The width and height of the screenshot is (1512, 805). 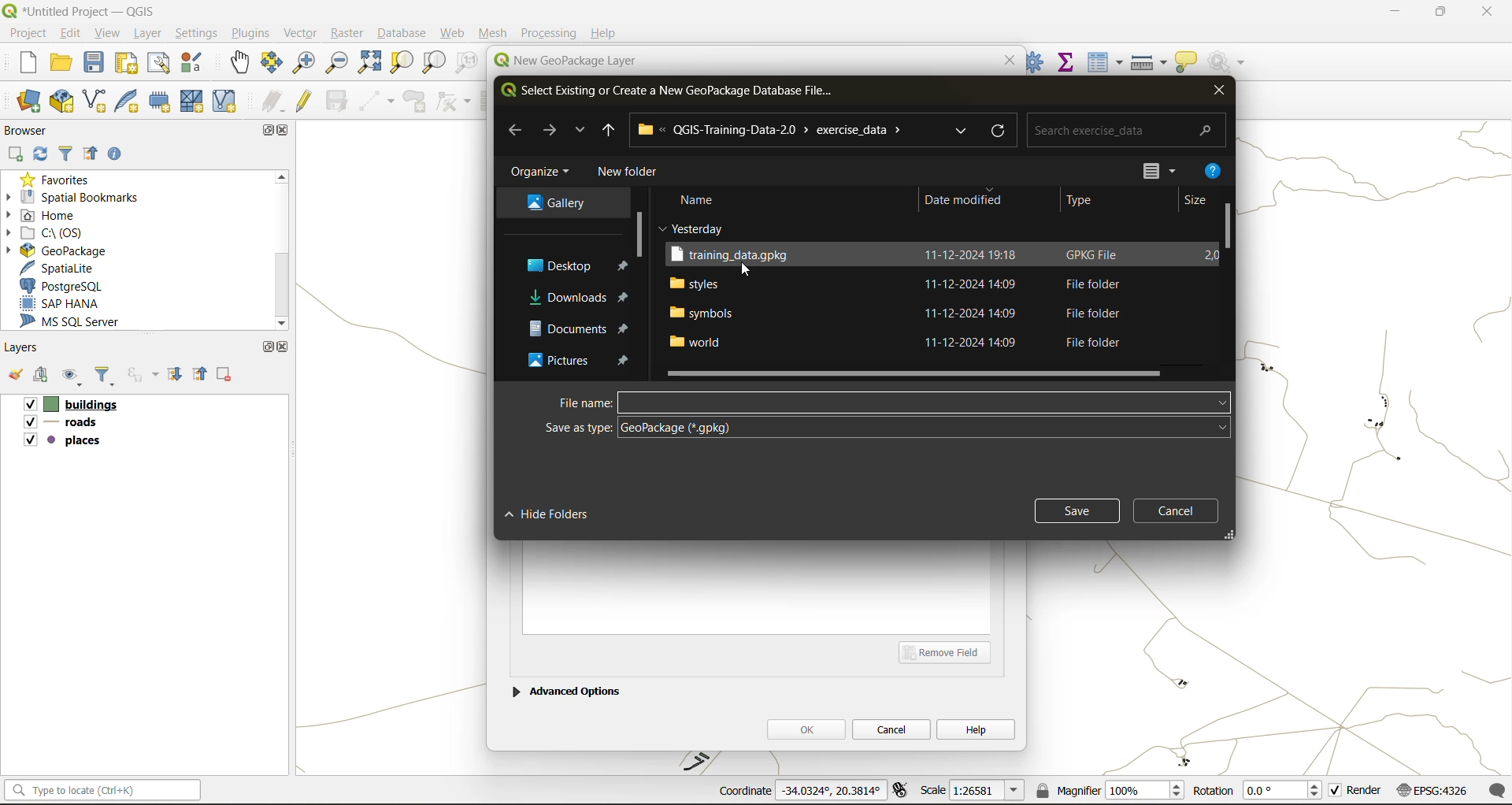 What do you see at coordinates (559, 329) in the screenshot?
I see `Documents` at bounding box center [559, 329].